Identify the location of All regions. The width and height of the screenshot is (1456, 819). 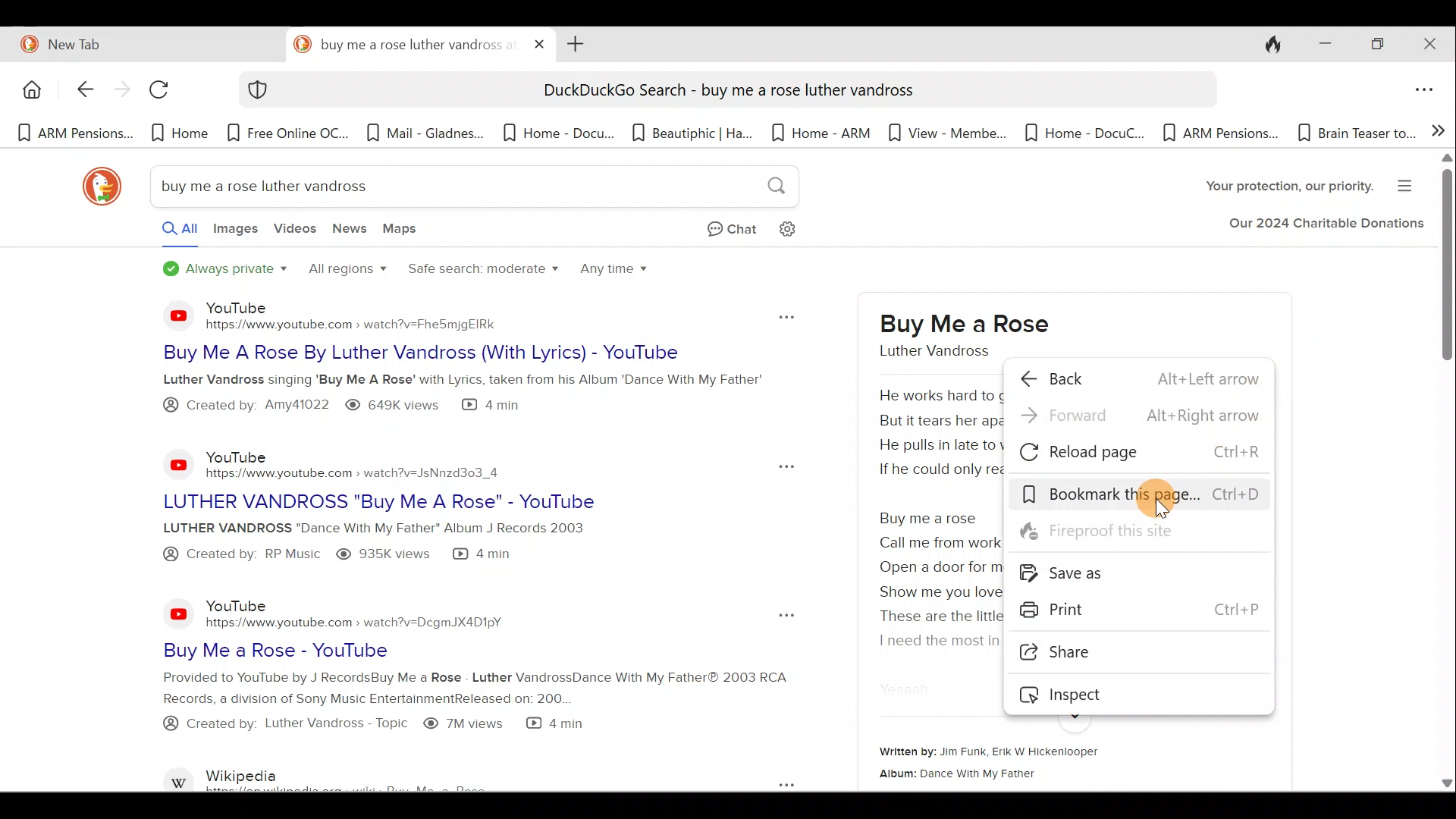
(346, 271).